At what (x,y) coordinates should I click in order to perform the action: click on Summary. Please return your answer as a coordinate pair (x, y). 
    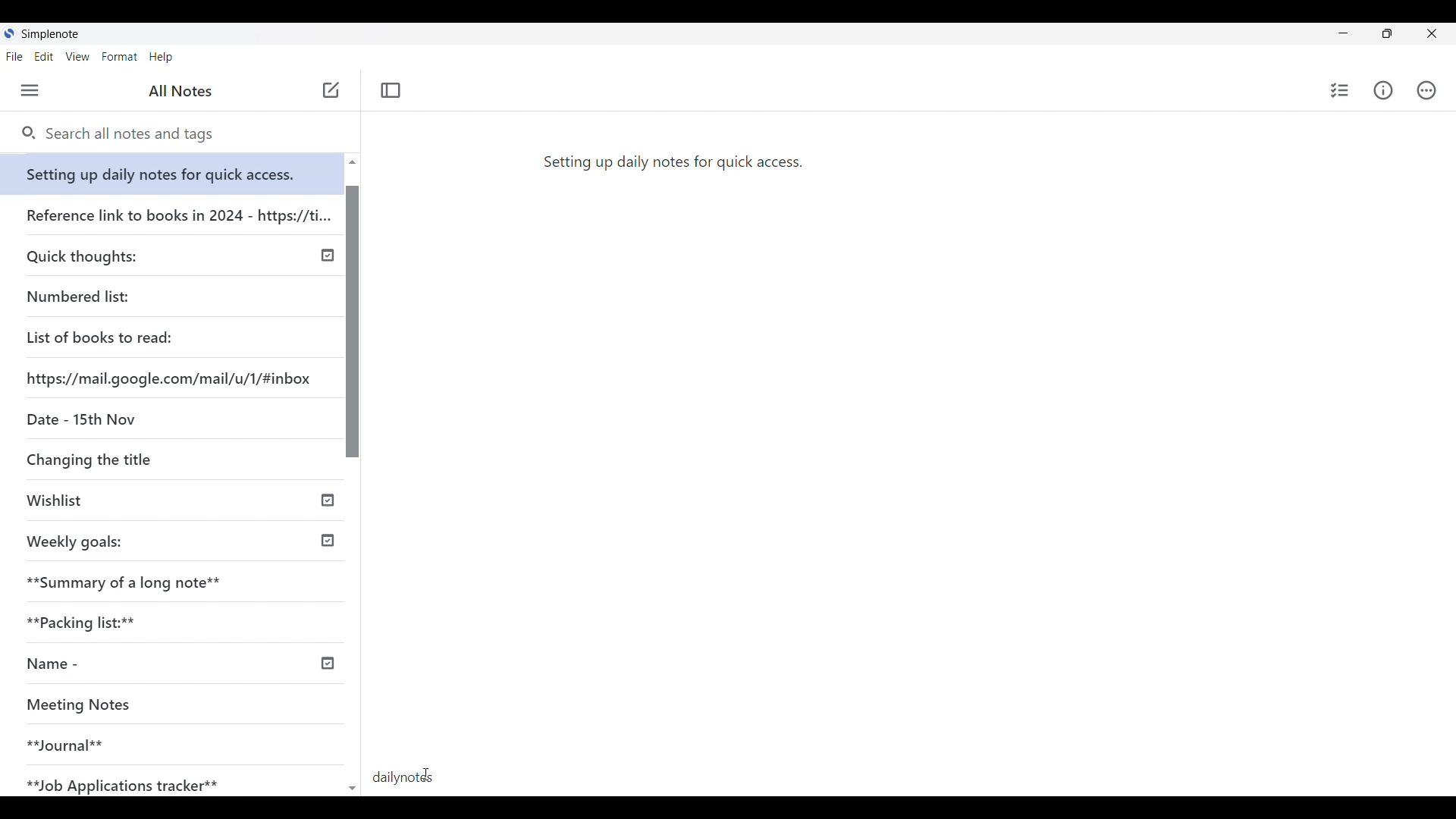
    Looking at the image, I should click on (181, 578).